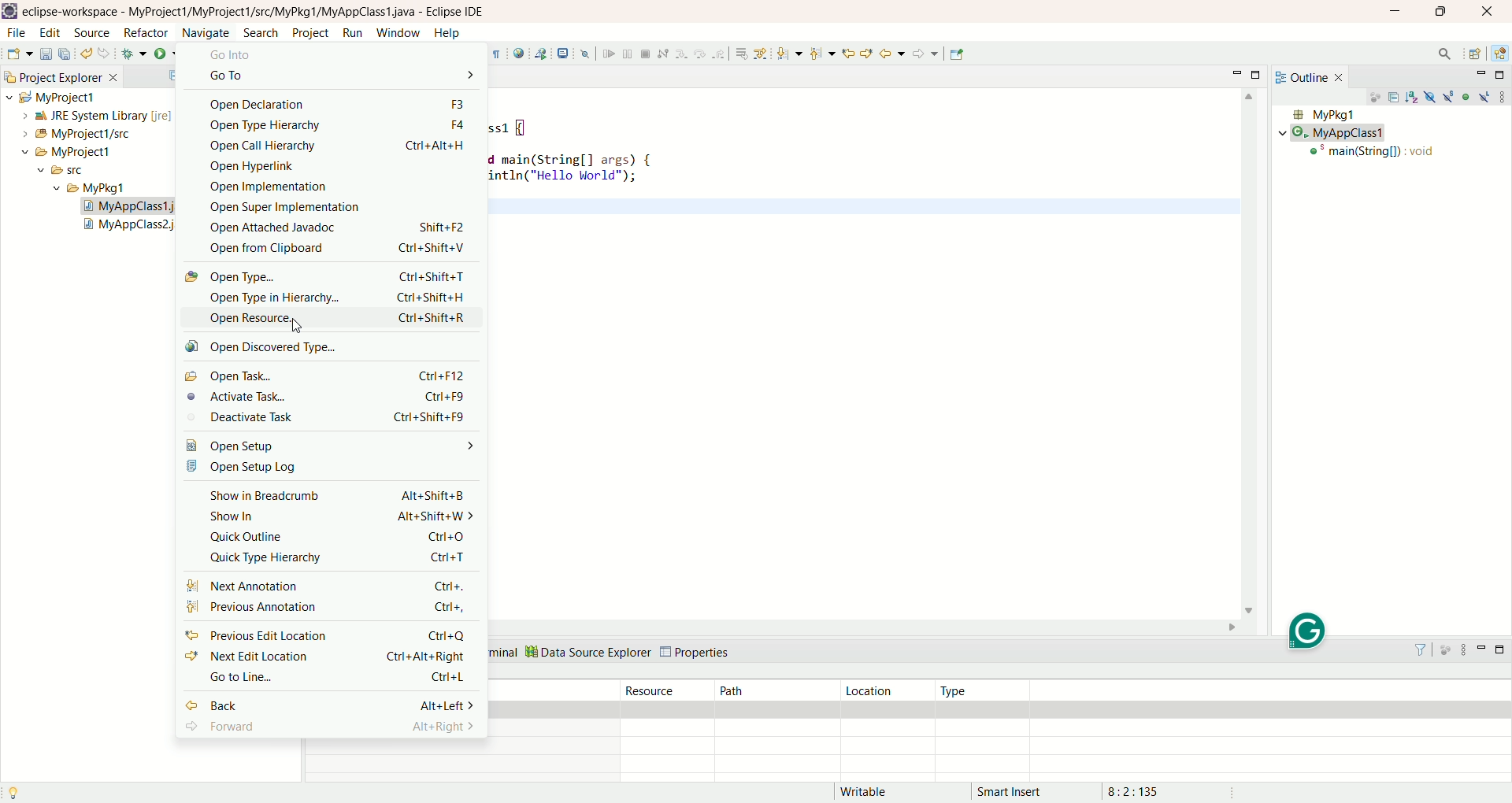  Describe the element at coordinates (1463, 650) in the screenshot. I see `view menu` at that location.